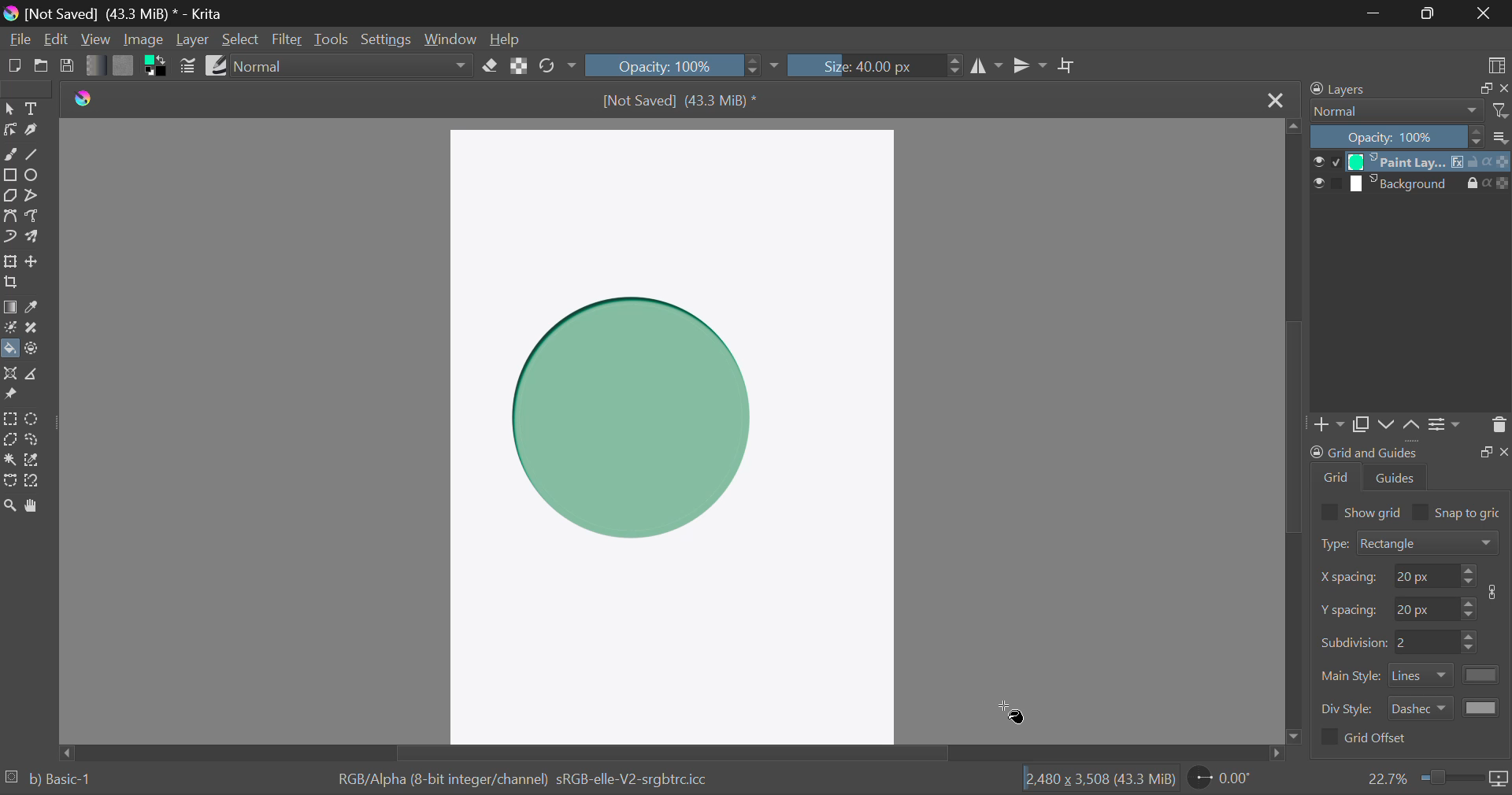  I want to click on Eyedropper, so click(35, 306).